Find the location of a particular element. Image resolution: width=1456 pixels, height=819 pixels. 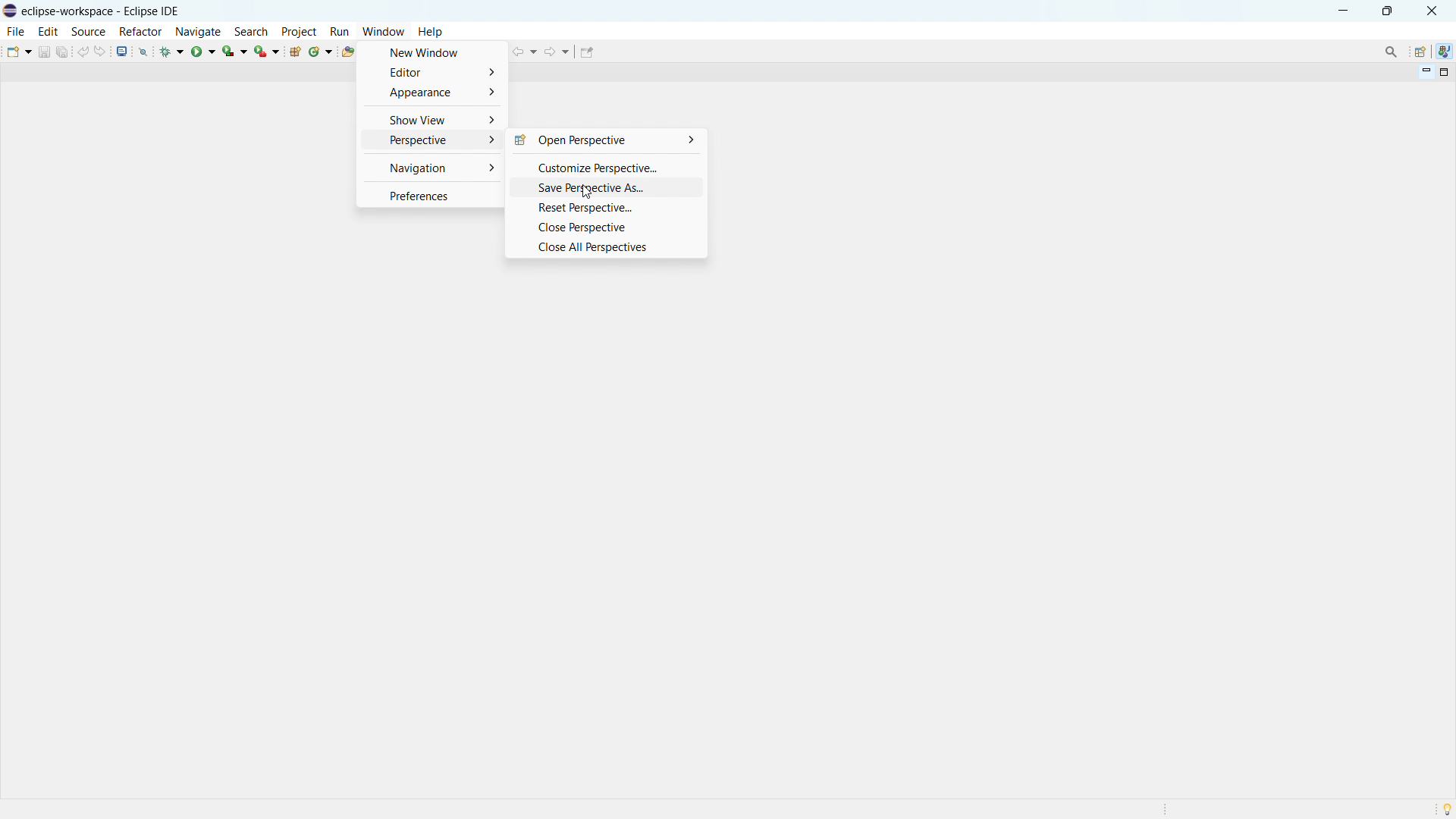

open perspective is located at coordinates (604, 140).